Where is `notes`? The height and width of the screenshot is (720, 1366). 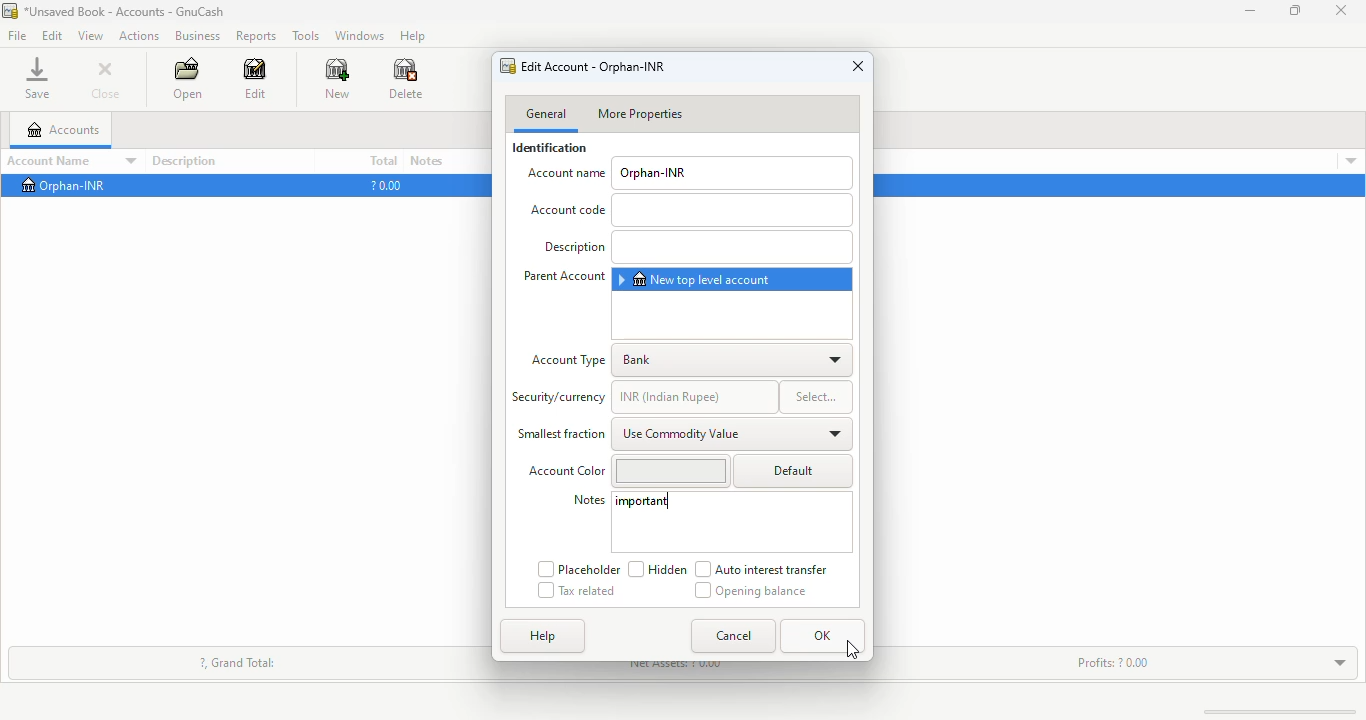 notes is located at coordinates (590, 499).